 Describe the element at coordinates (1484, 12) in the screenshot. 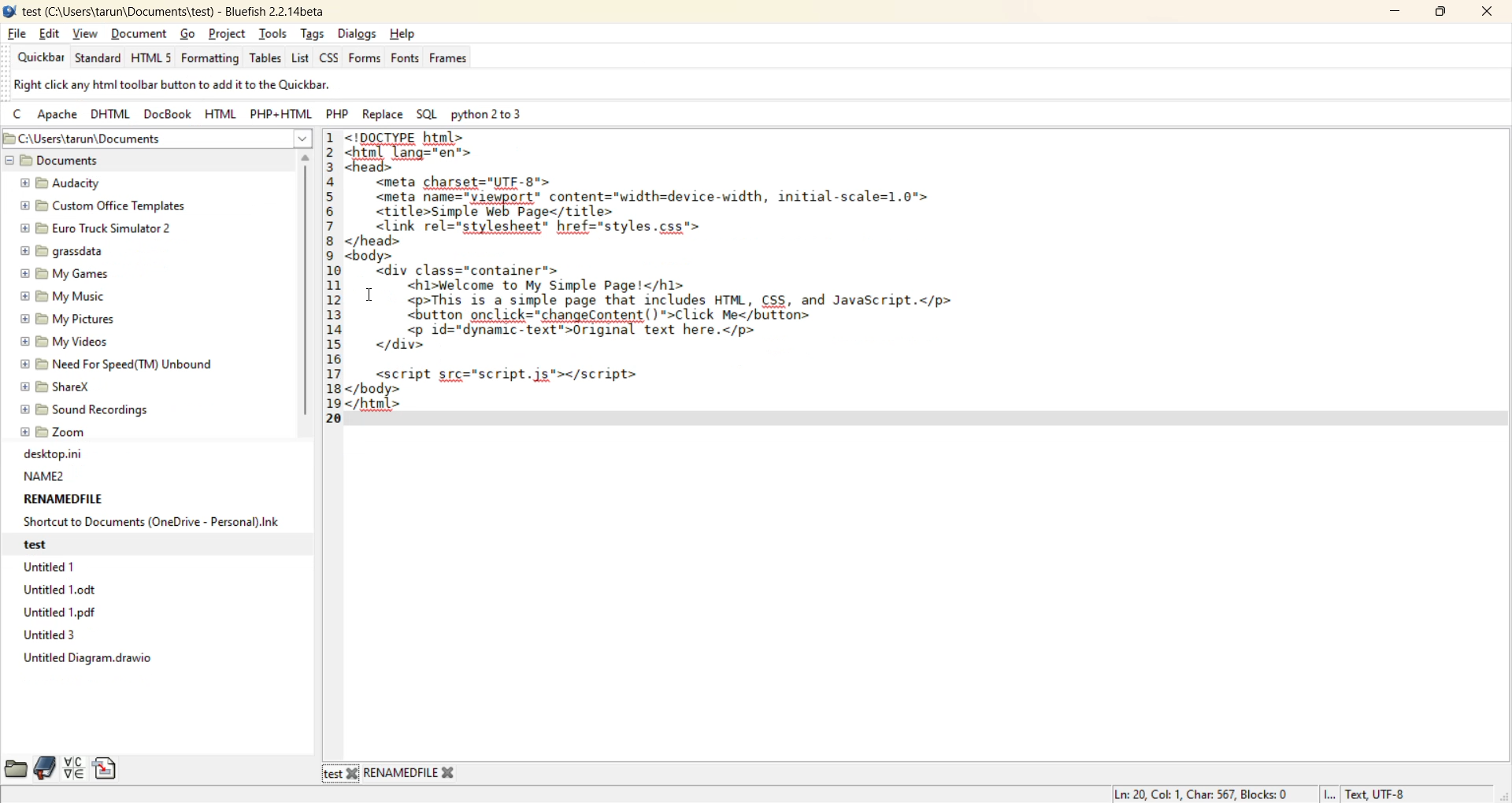

I see `close` at that location.